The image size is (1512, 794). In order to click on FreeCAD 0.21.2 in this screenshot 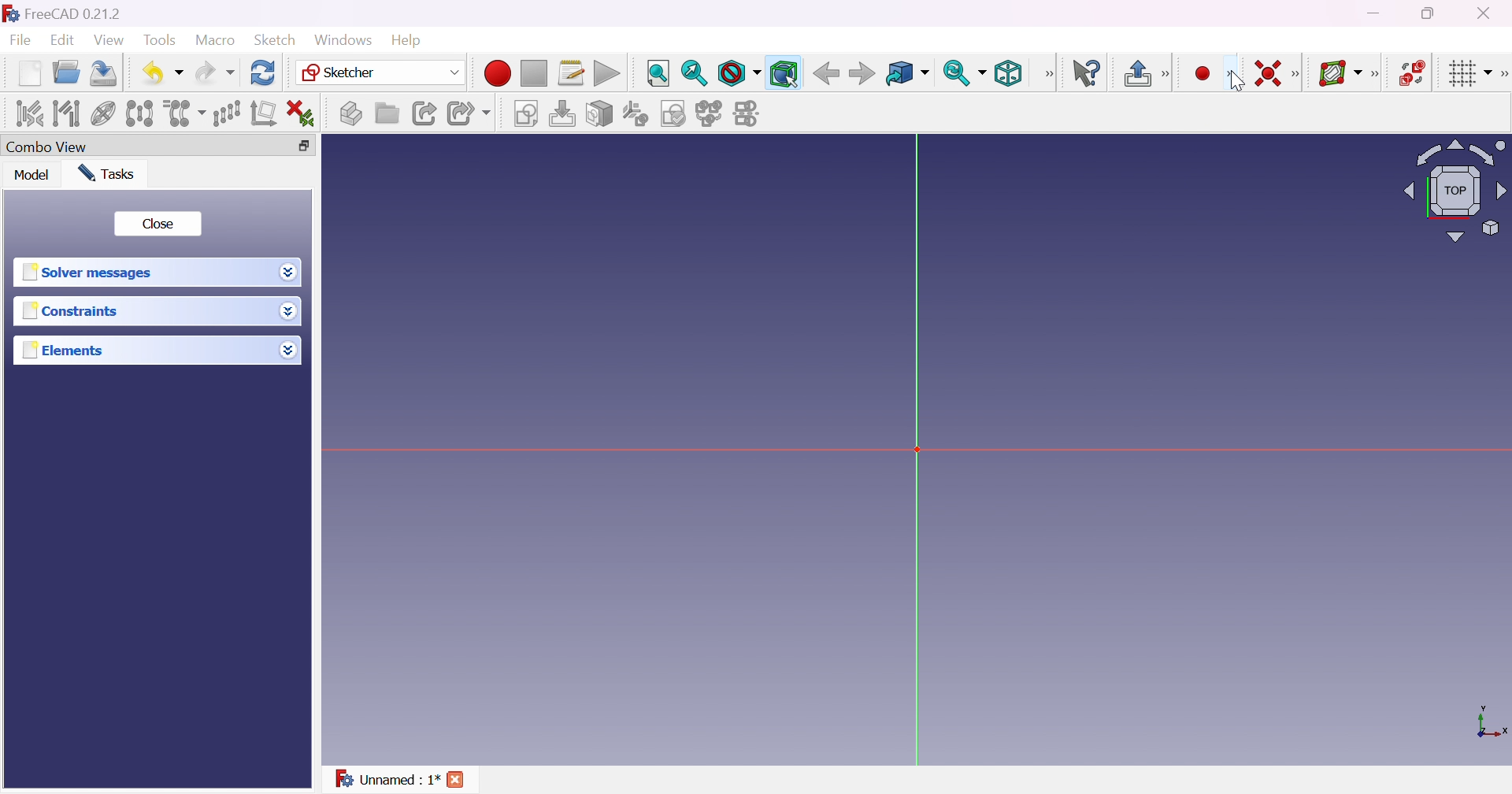, I will do `click(72, 13)`.